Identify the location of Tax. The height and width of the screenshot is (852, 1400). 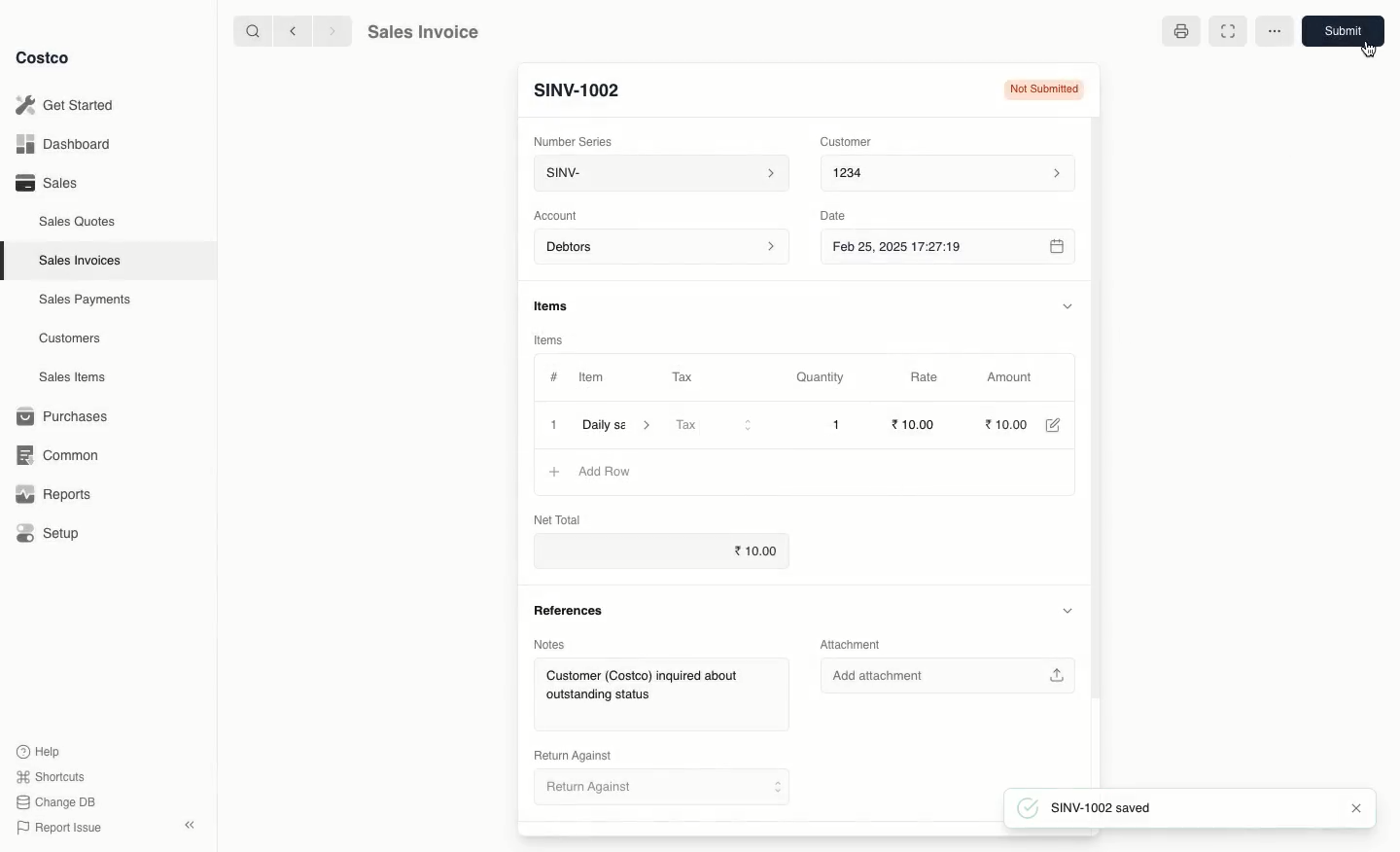
(715, 425).